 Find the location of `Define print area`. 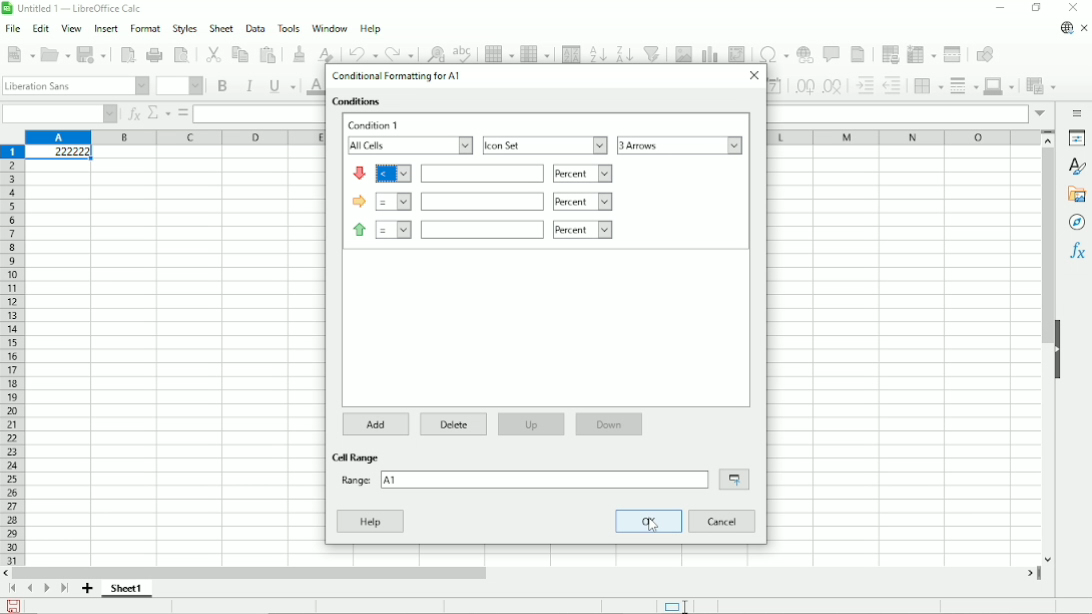

Define print area is located at coordinates (888, 52).